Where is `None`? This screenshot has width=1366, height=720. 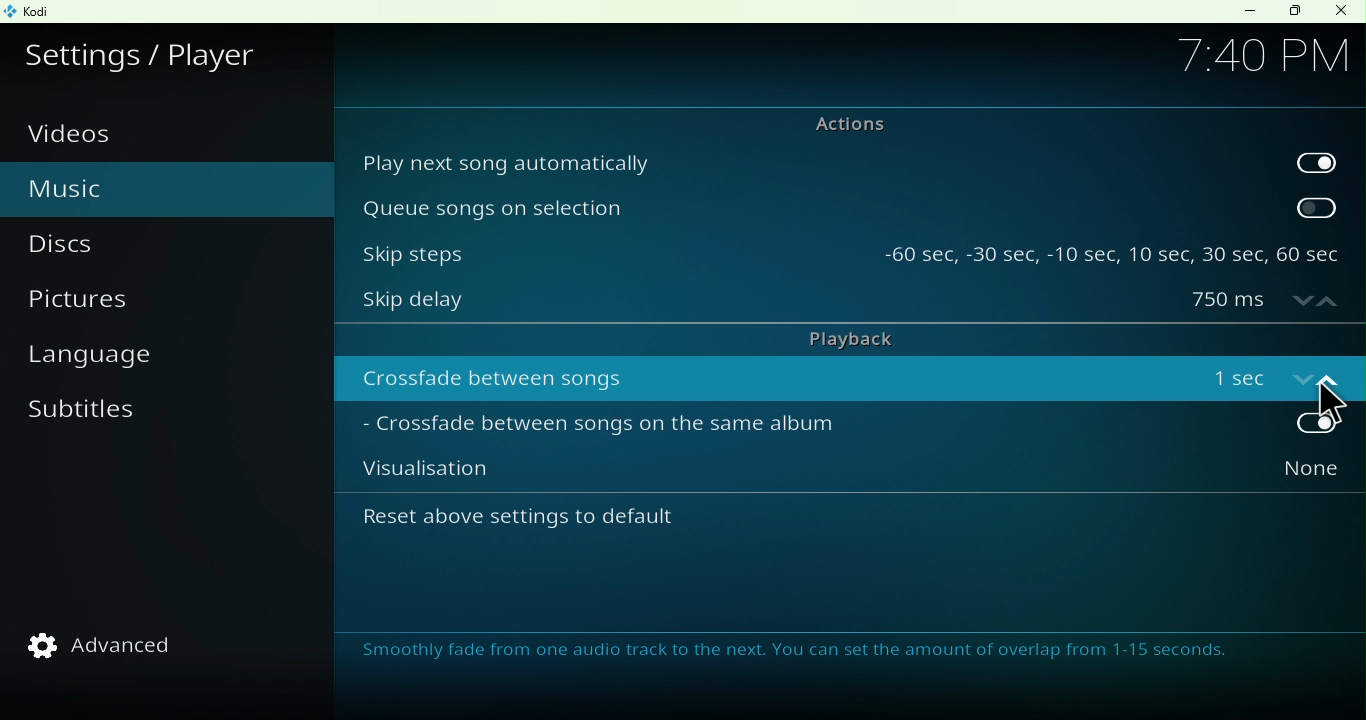
None is located at coordinates (1267, 475).